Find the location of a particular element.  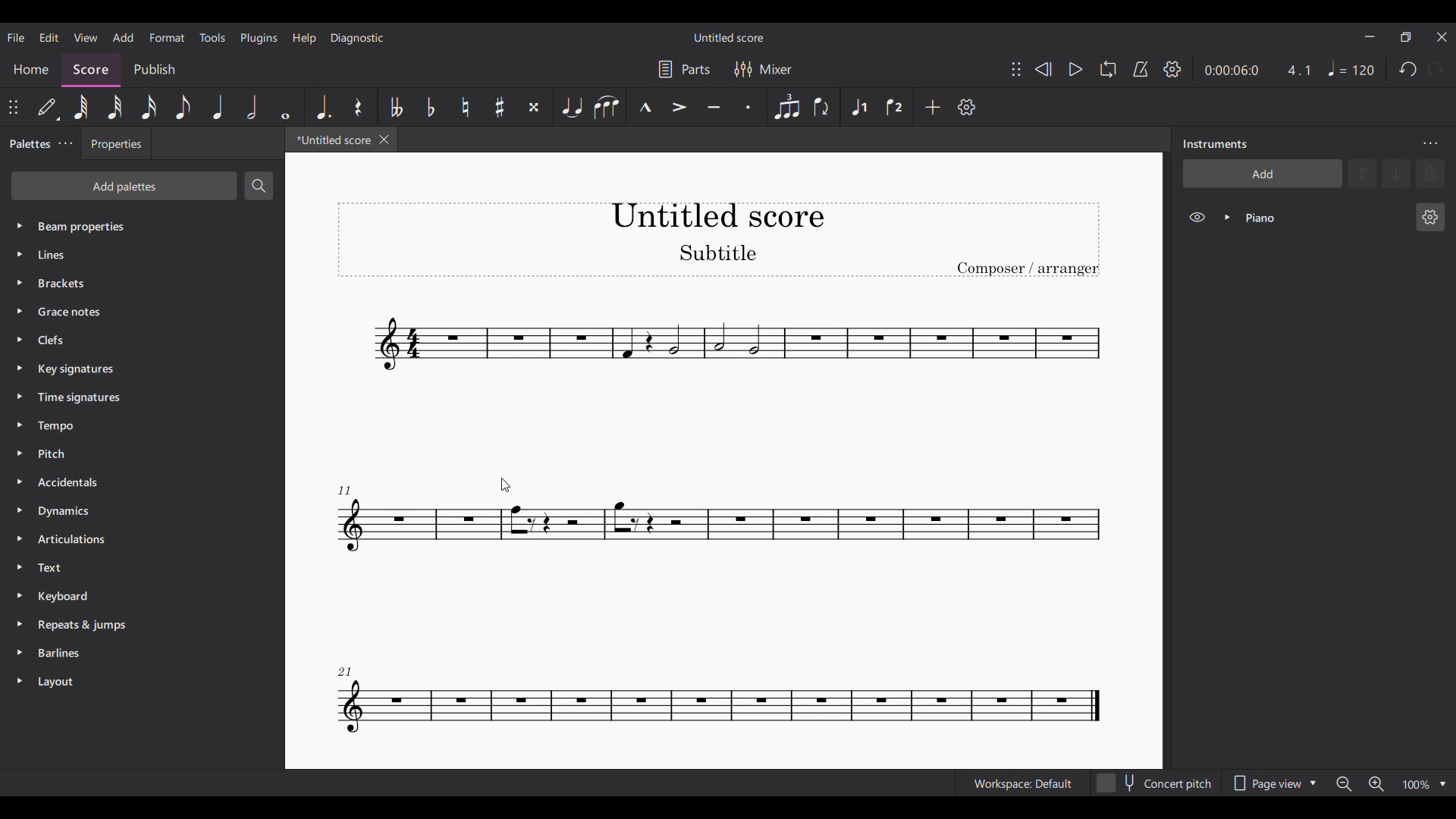

Score, current section highlighted is located at coordinates (91, 67).